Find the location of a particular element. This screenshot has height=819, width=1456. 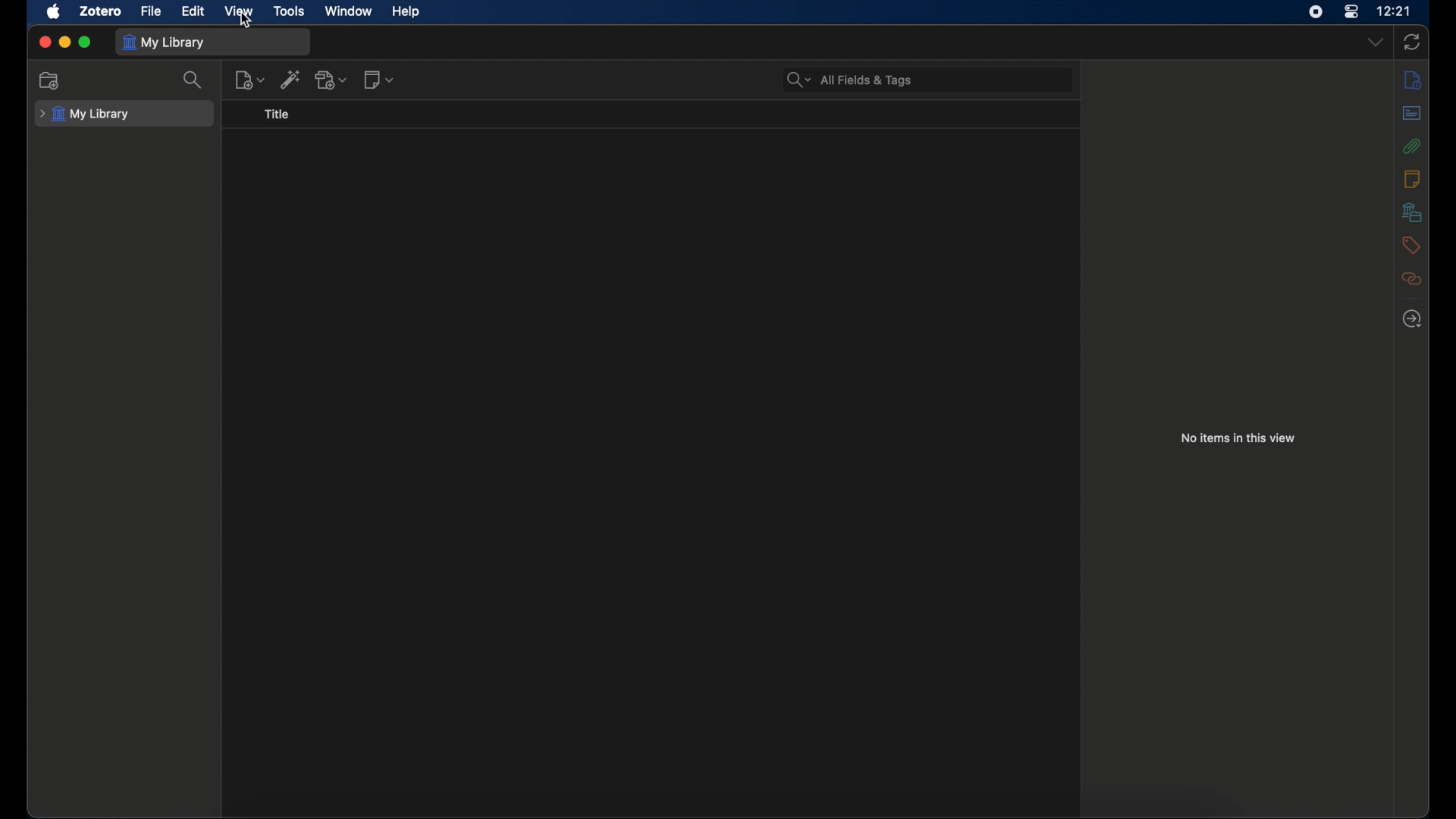

close is located at coordinates (45, 42).